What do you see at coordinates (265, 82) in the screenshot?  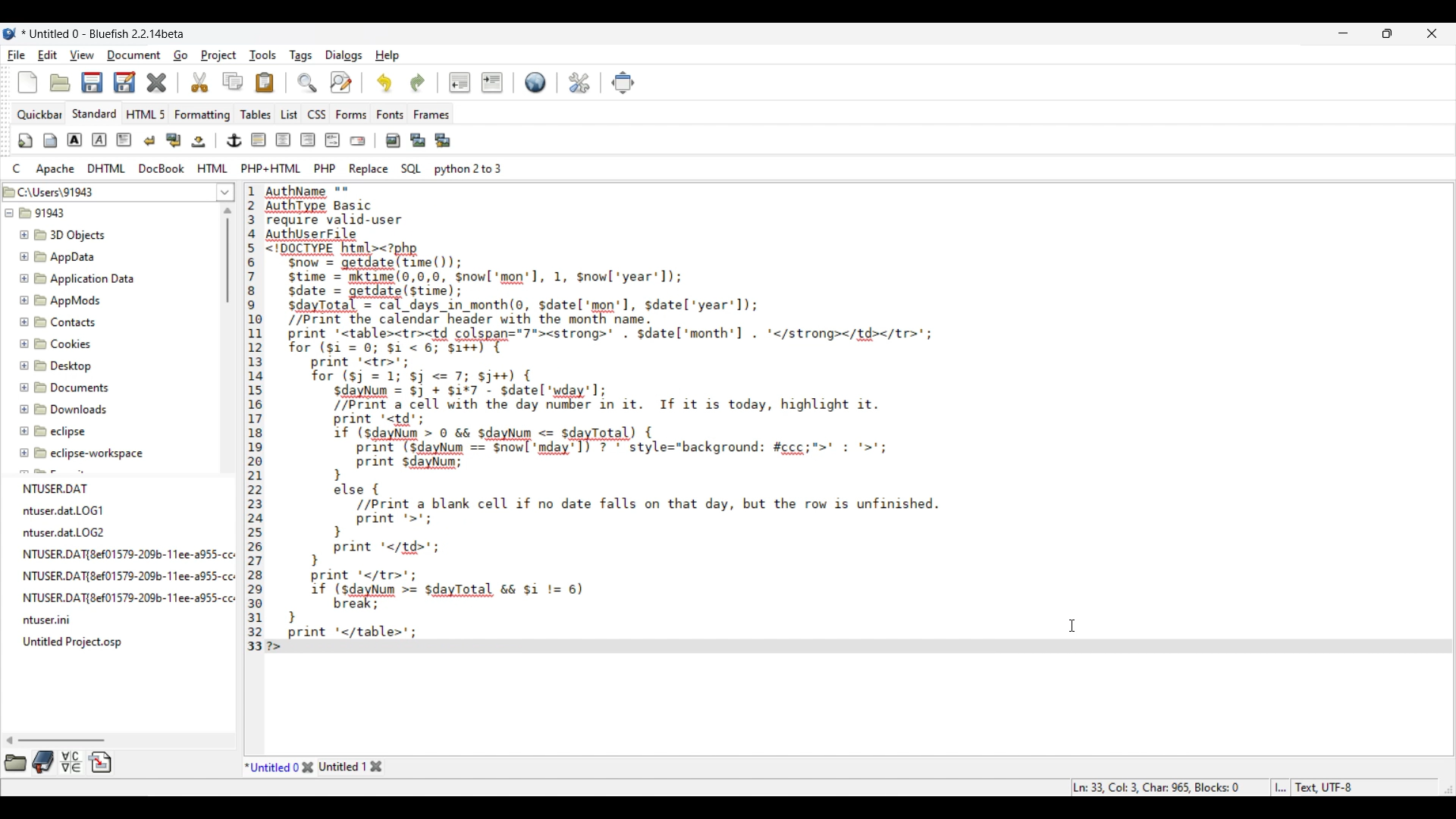 I see `Paste` at bounding box center [265, 82].